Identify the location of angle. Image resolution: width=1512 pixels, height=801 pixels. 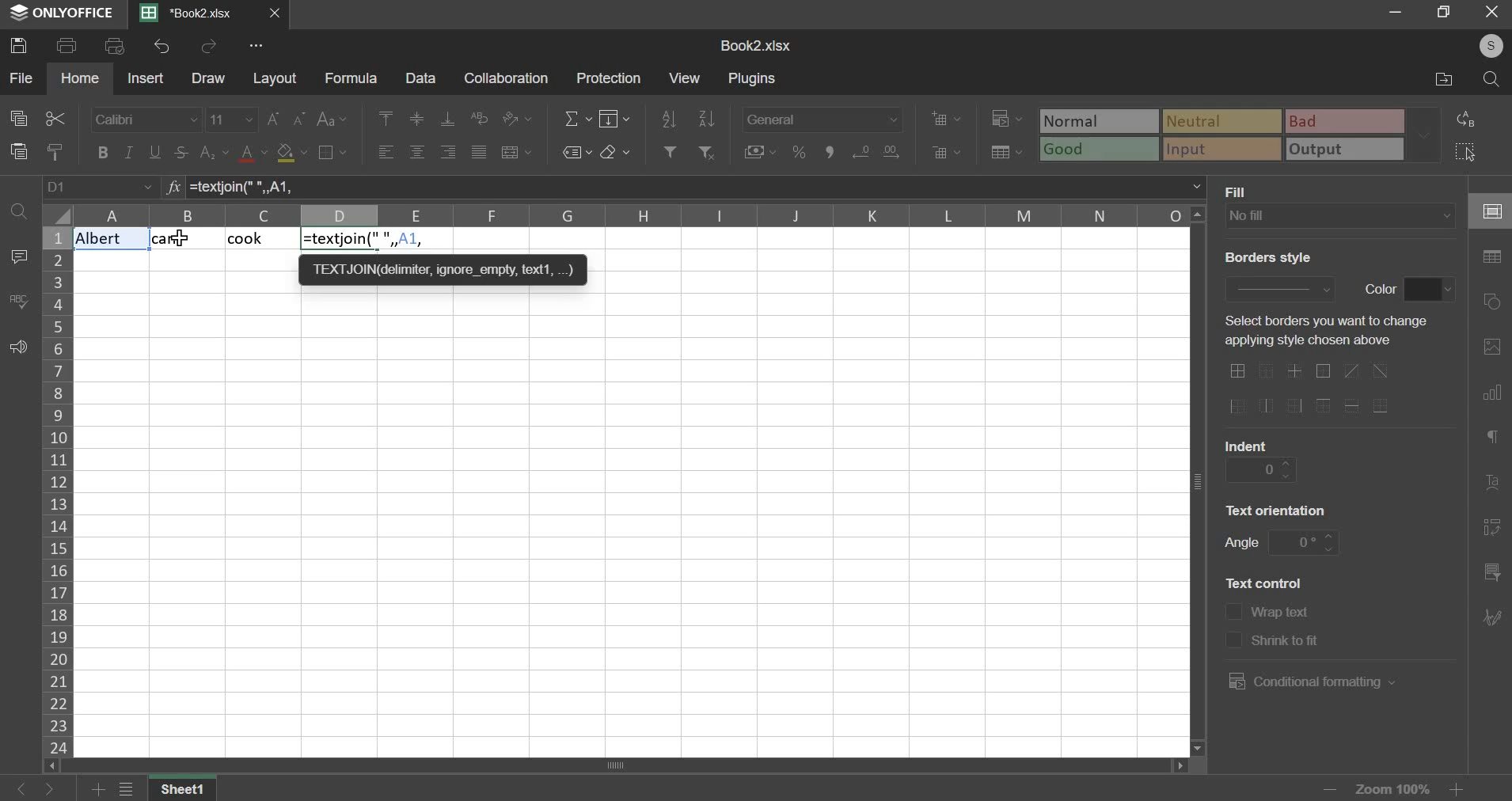
(1305, 541).